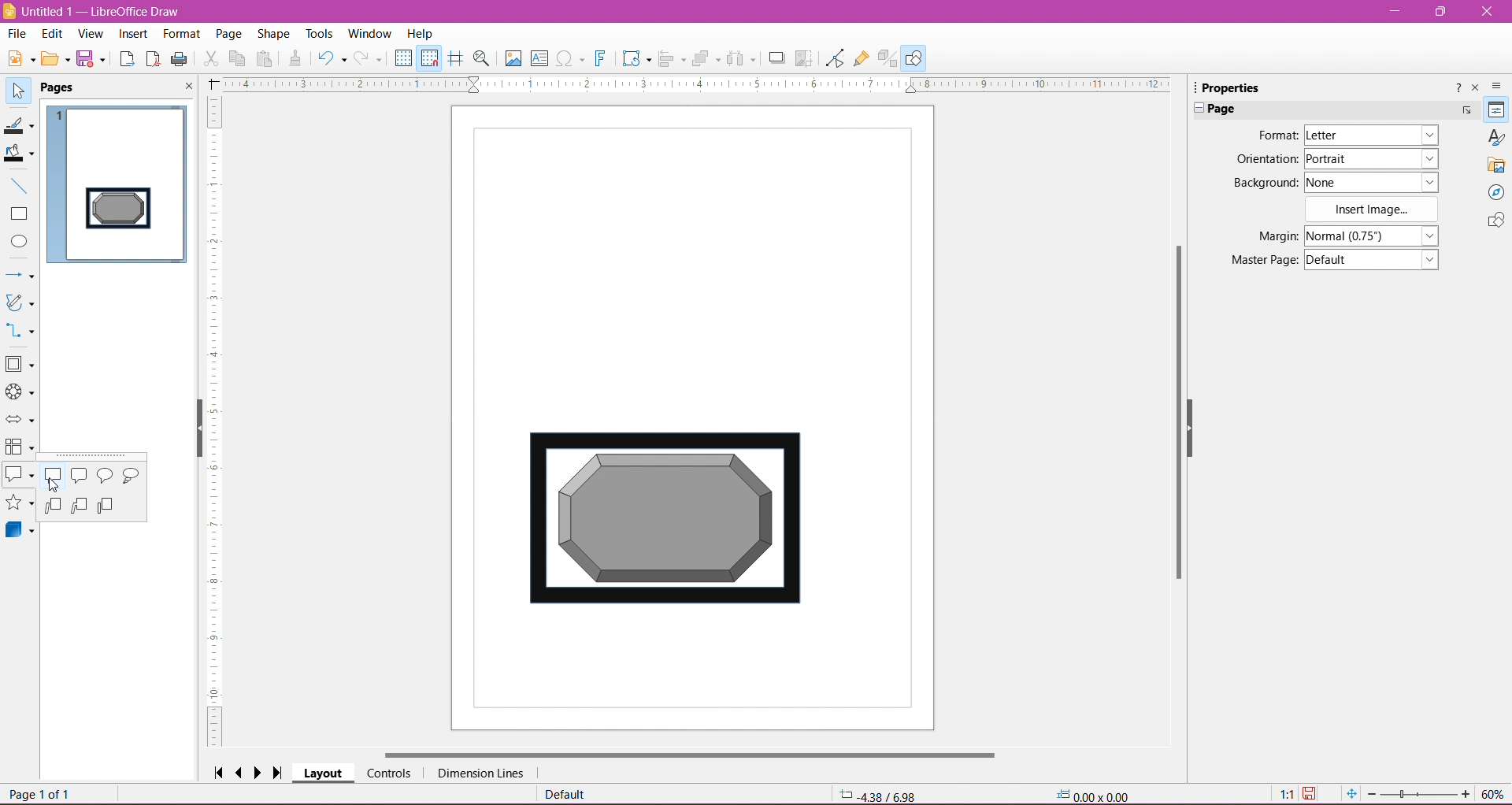 Image resolution: width=1512 pixels, height=805 pixels. Describe the element at coordinates (332, 57) in the screenshot. I see `Undo` at that location.